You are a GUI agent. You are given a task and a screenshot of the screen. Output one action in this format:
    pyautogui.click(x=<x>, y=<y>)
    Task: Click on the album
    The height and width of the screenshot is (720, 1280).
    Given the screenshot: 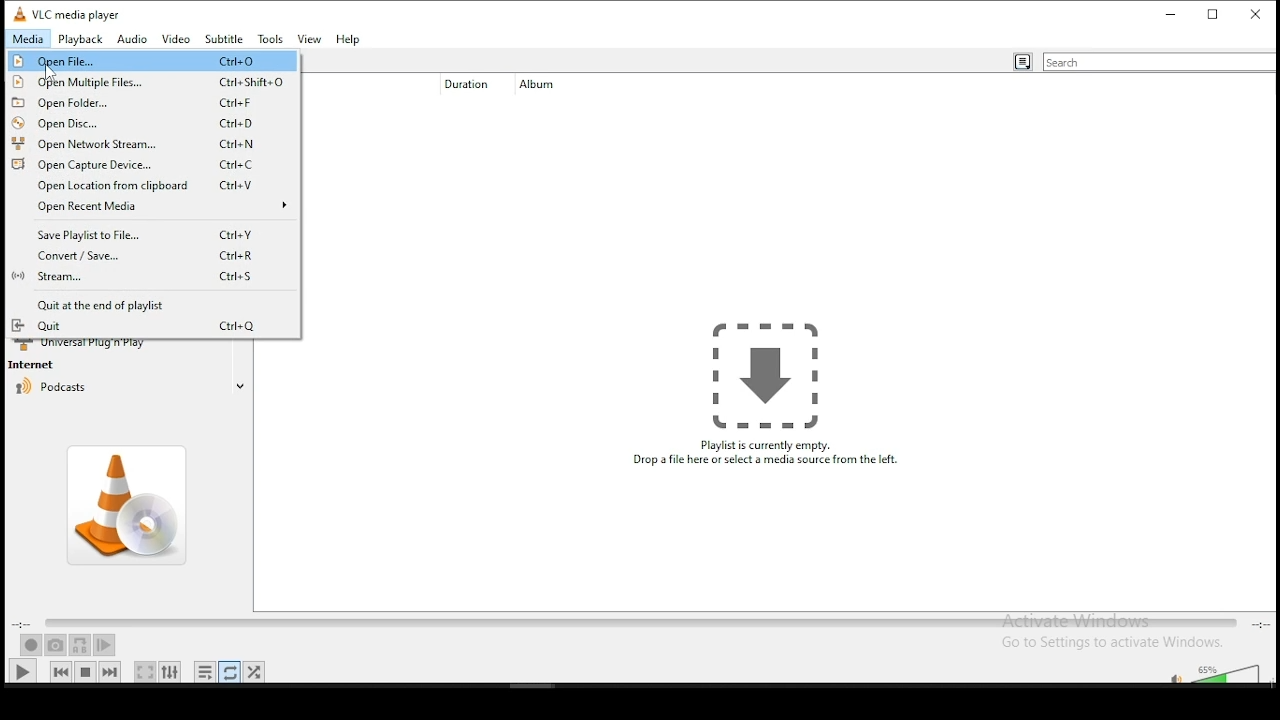 What is the action you would take?
    pyautogui.click(x=545, y=84)
    